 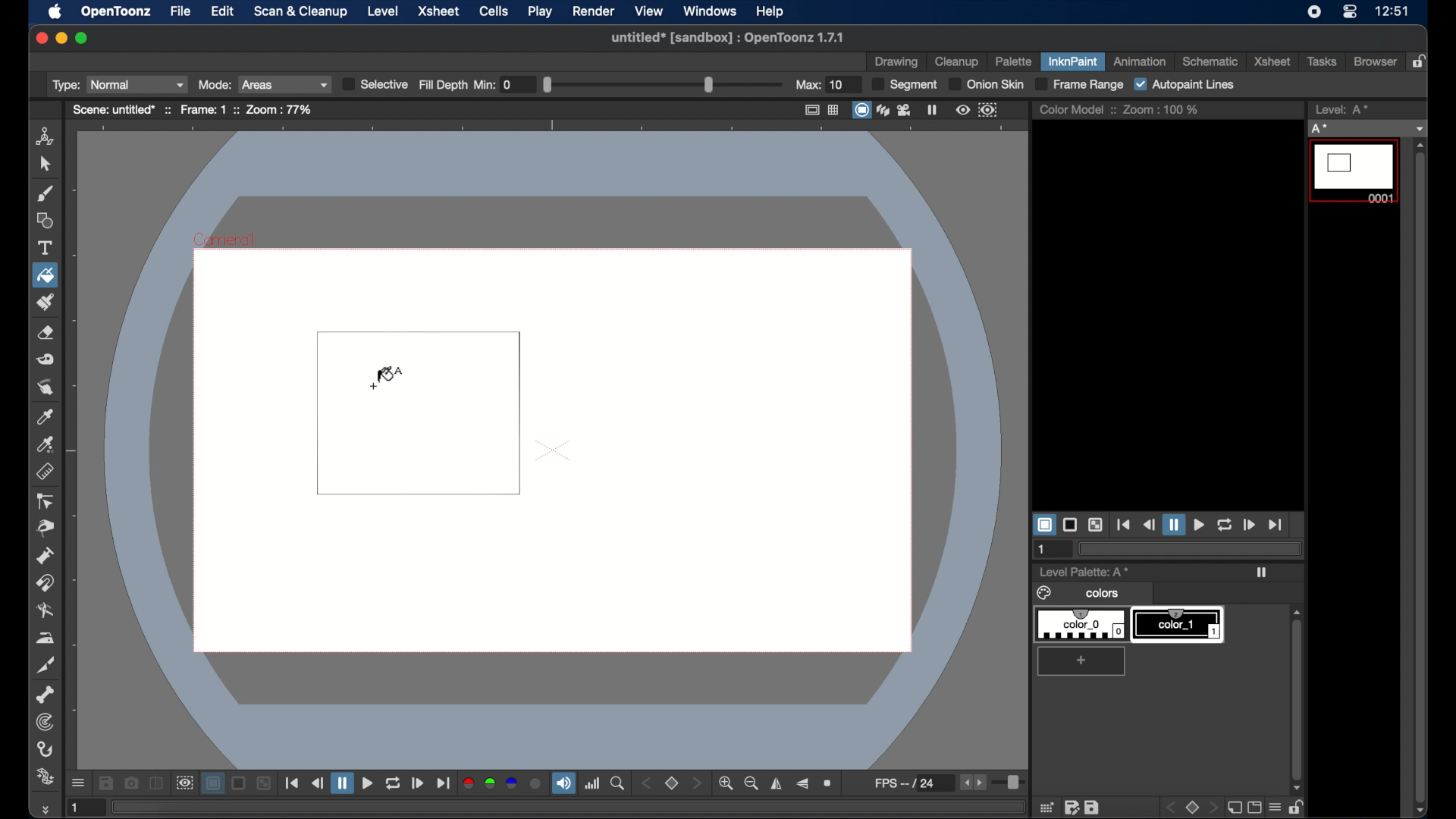 I want to click on play icon, so click(x=1261, y=573).